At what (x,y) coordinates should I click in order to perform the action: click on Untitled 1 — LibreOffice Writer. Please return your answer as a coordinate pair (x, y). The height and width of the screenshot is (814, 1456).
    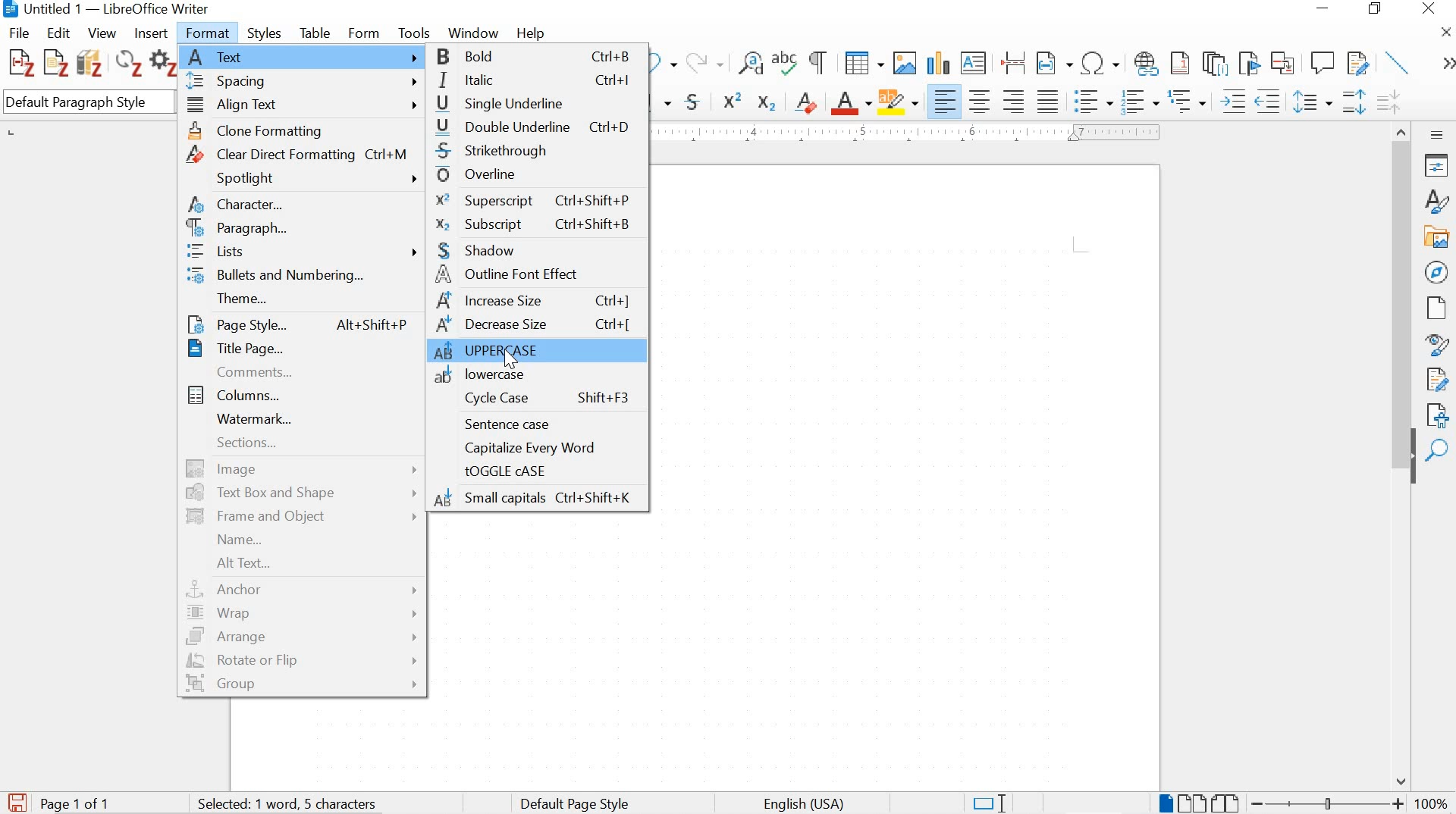
    Looking at the image, I should click on (109, 9).